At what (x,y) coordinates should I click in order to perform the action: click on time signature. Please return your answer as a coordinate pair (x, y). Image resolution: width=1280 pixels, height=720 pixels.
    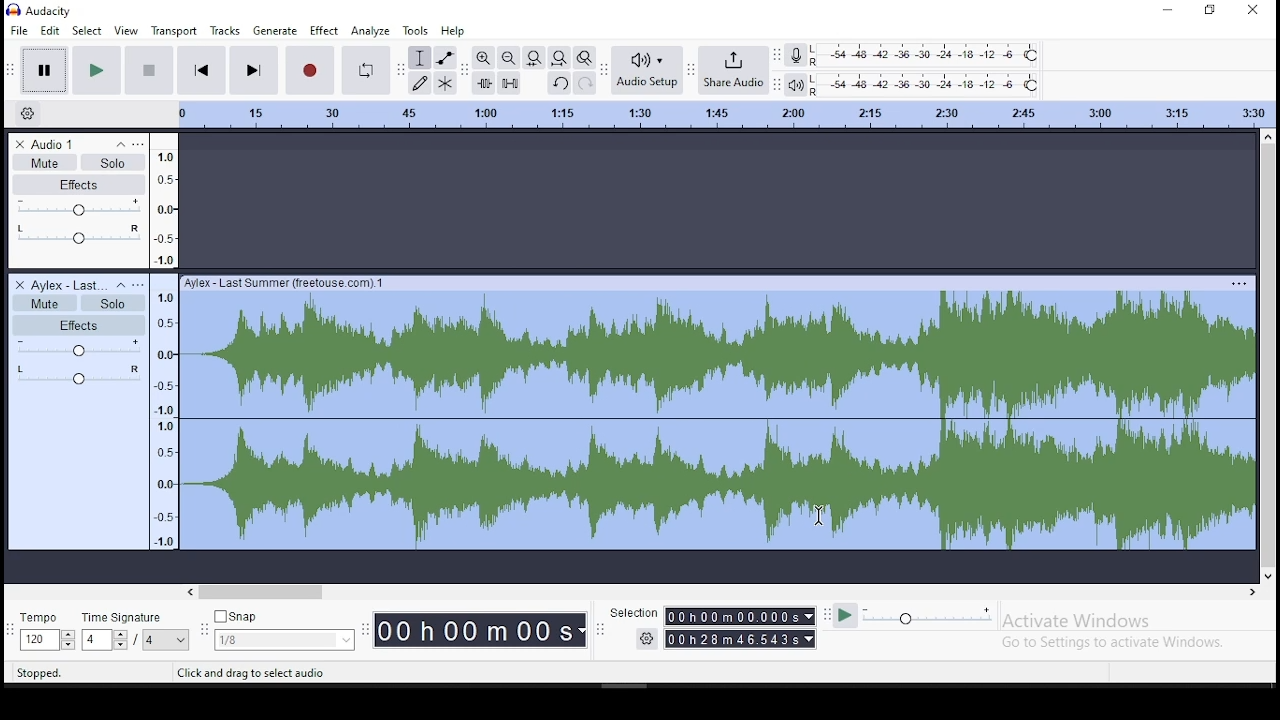
    Looking at the image, I should click on (137, 632).